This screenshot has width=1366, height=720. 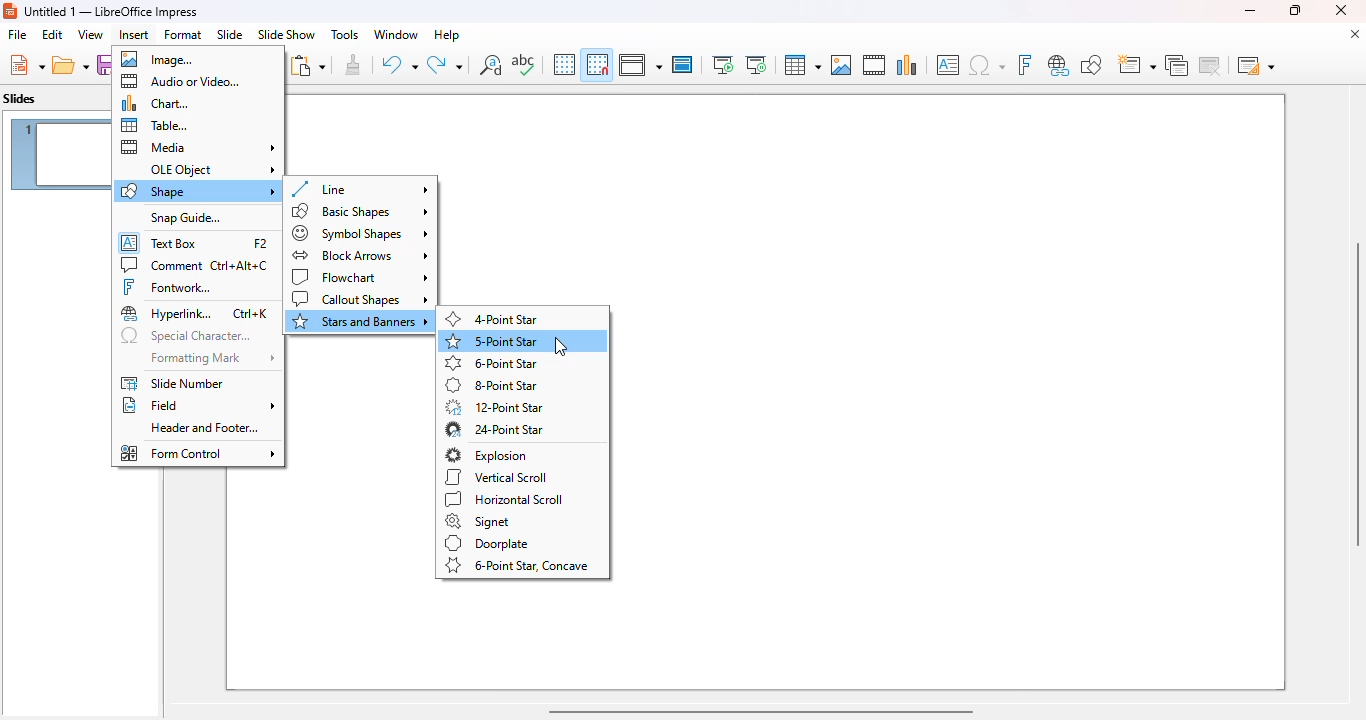 What do you see at coordinates (183, 34) in the screenshot?
I see `format` at bounding box center [183, 34].